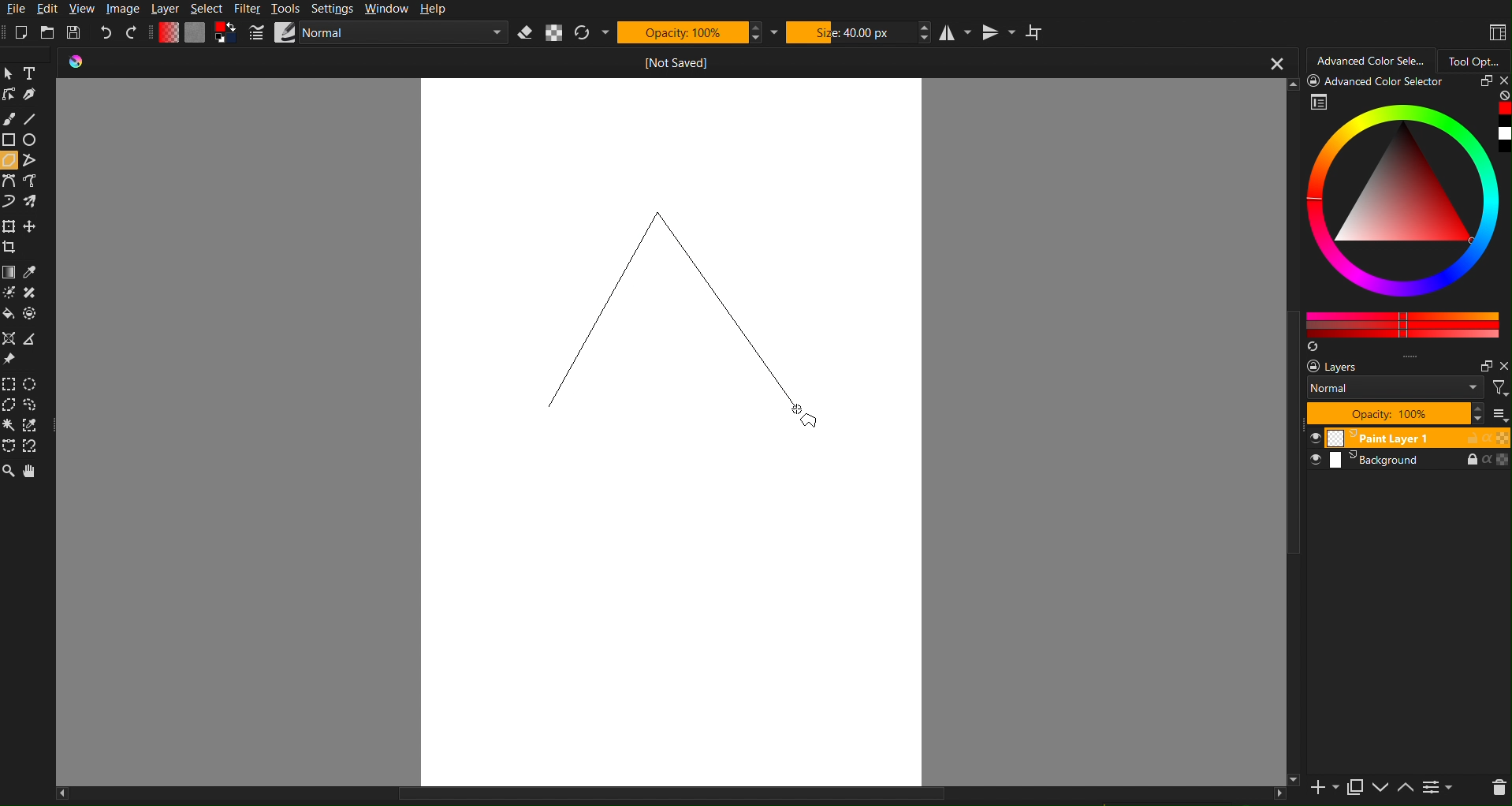  Describe the element at coordinates (34, 118) in the screenshot. I see `Line ` at that location.